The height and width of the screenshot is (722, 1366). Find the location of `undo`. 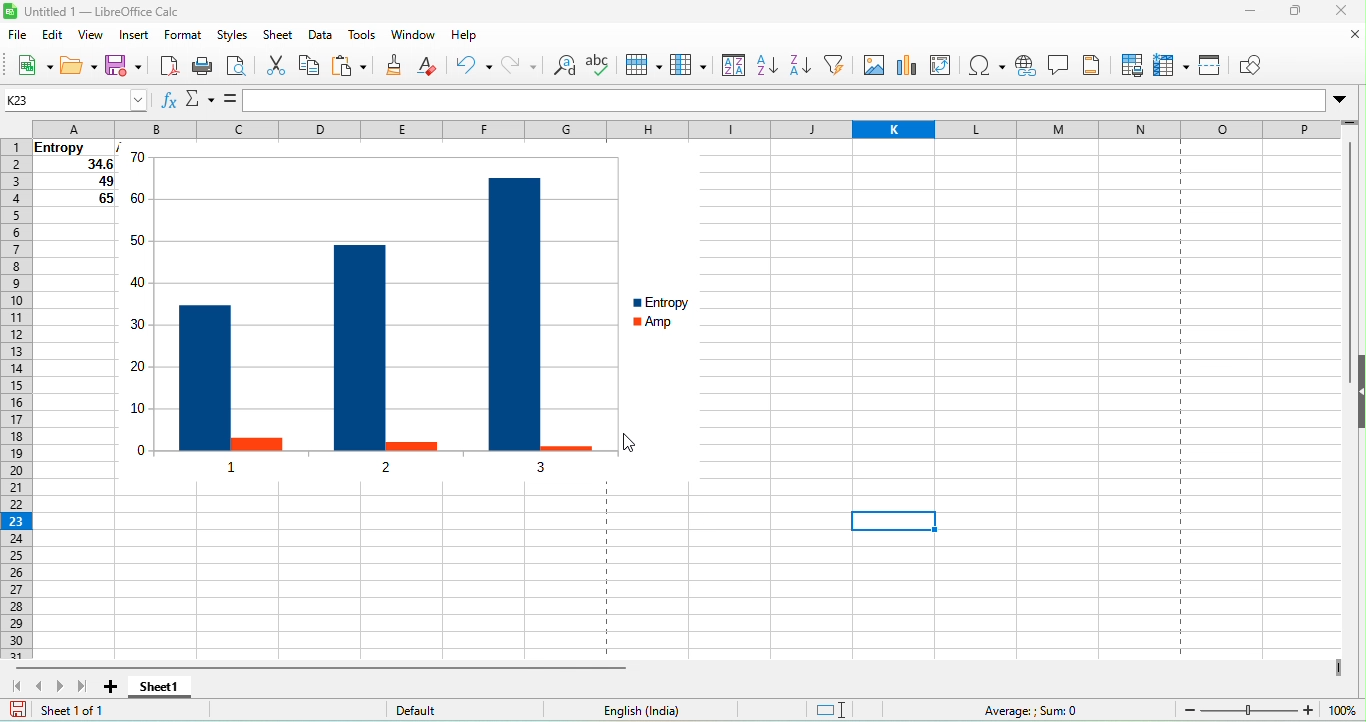

undo is located at coordinates (475, 65).